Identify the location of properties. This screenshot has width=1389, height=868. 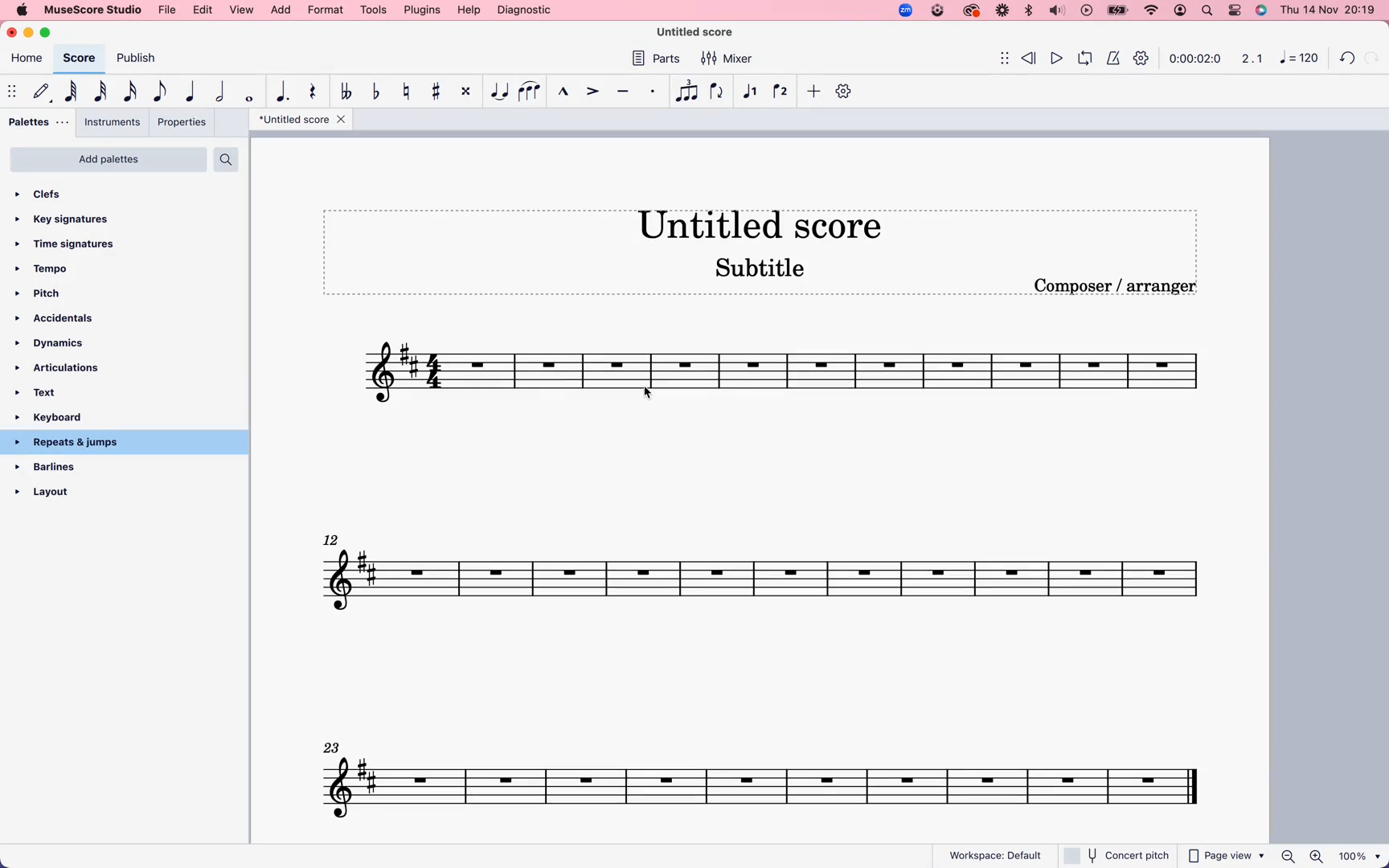
(181, 122).